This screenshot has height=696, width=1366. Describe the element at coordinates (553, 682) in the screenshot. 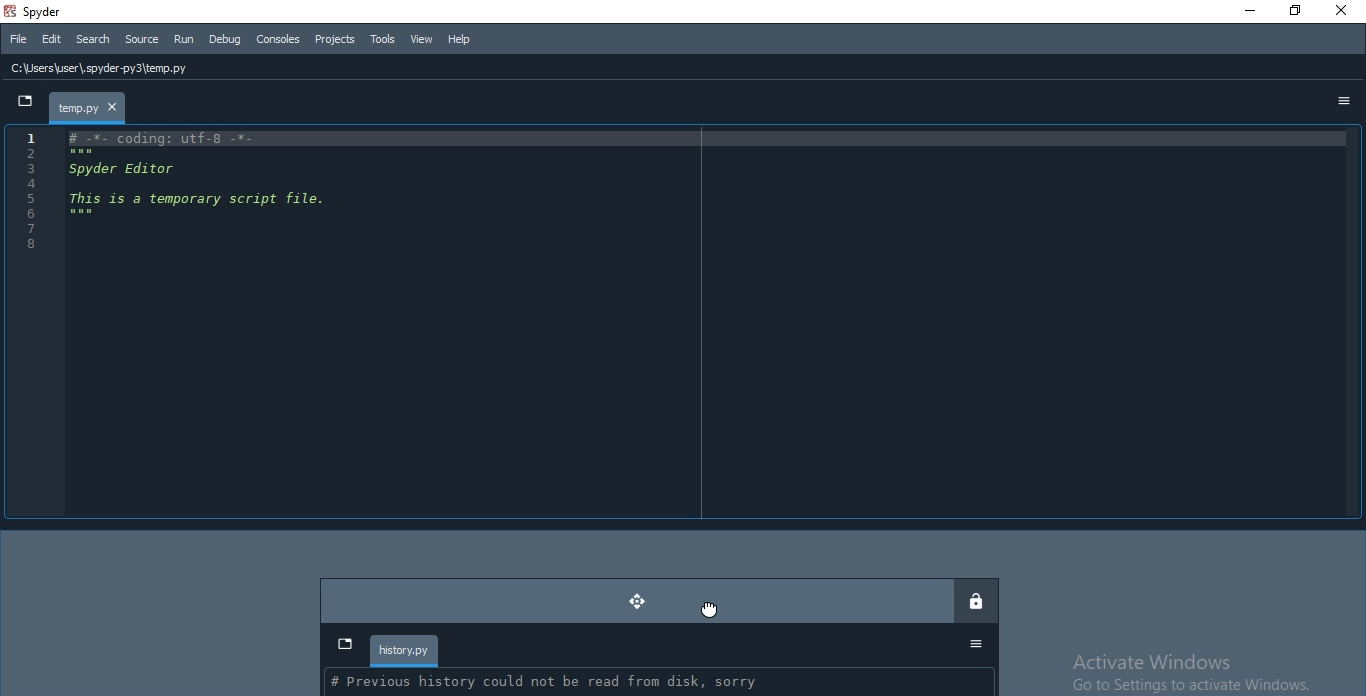

I see `| # Previoucs hictoarvy could not be read from dick <arrv` at that location.